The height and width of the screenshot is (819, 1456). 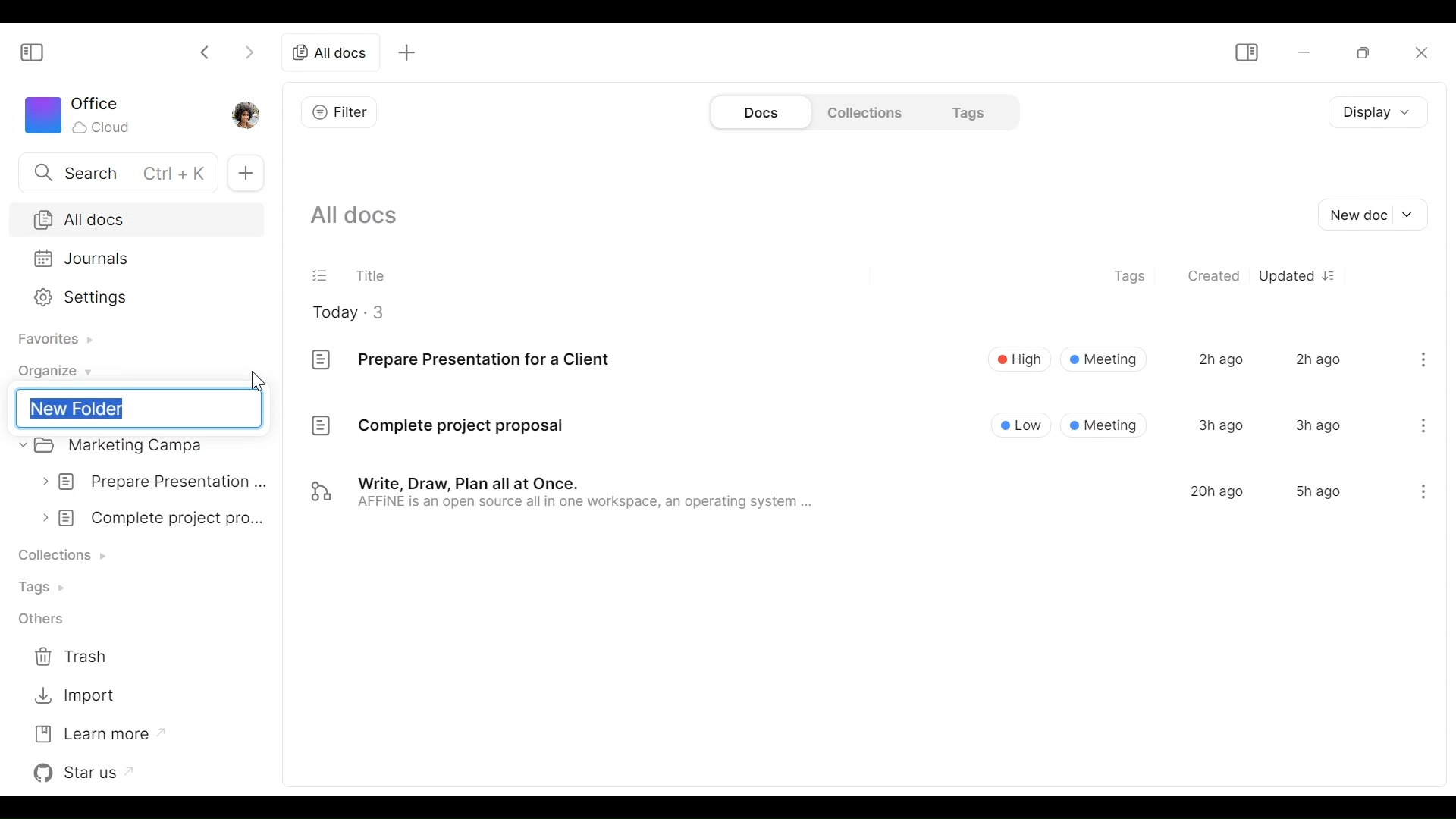 I want to click on 3h ago, so click(x=1221, y=425).